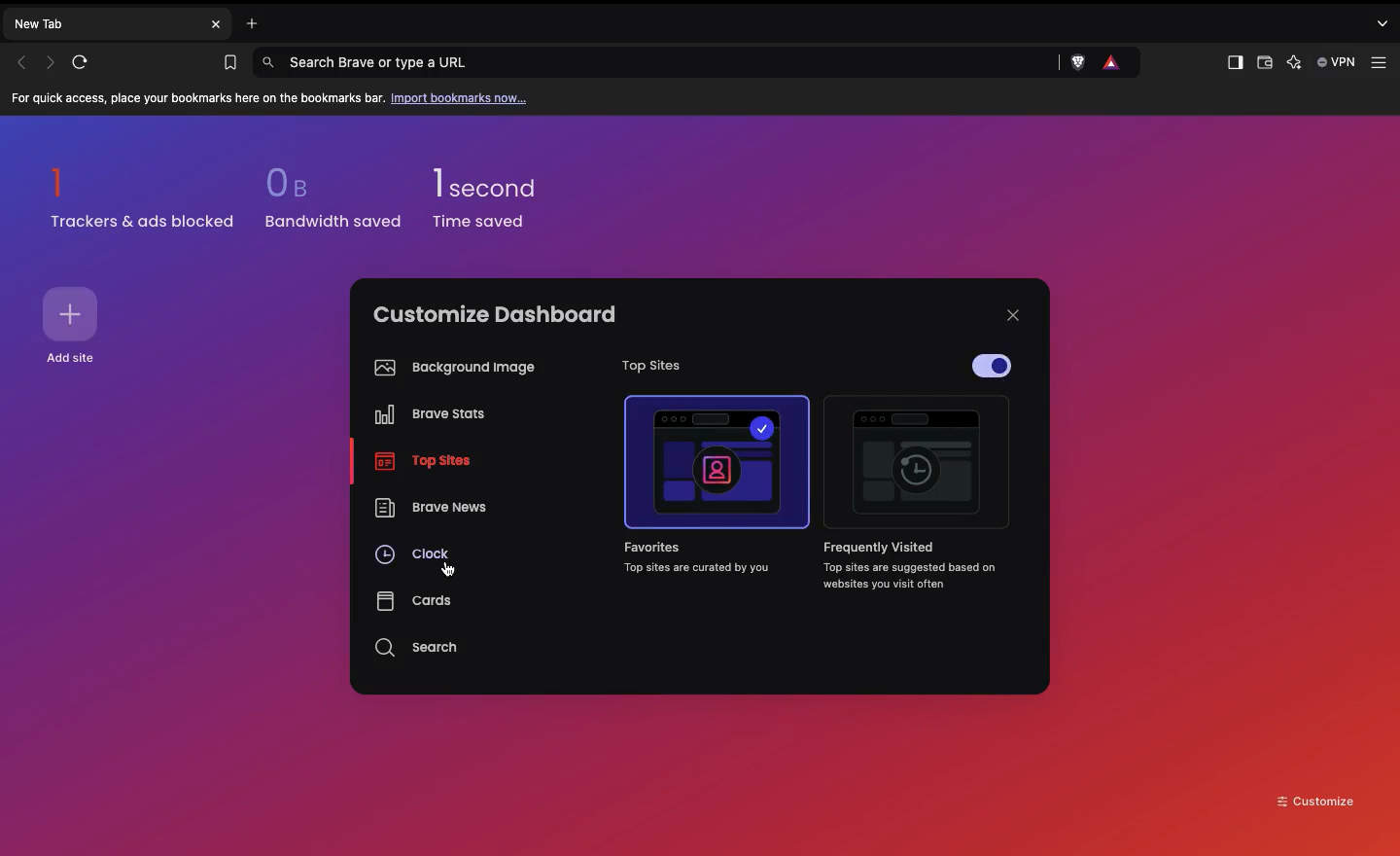  I want to click on Customize dashboard, so click(495, 314).